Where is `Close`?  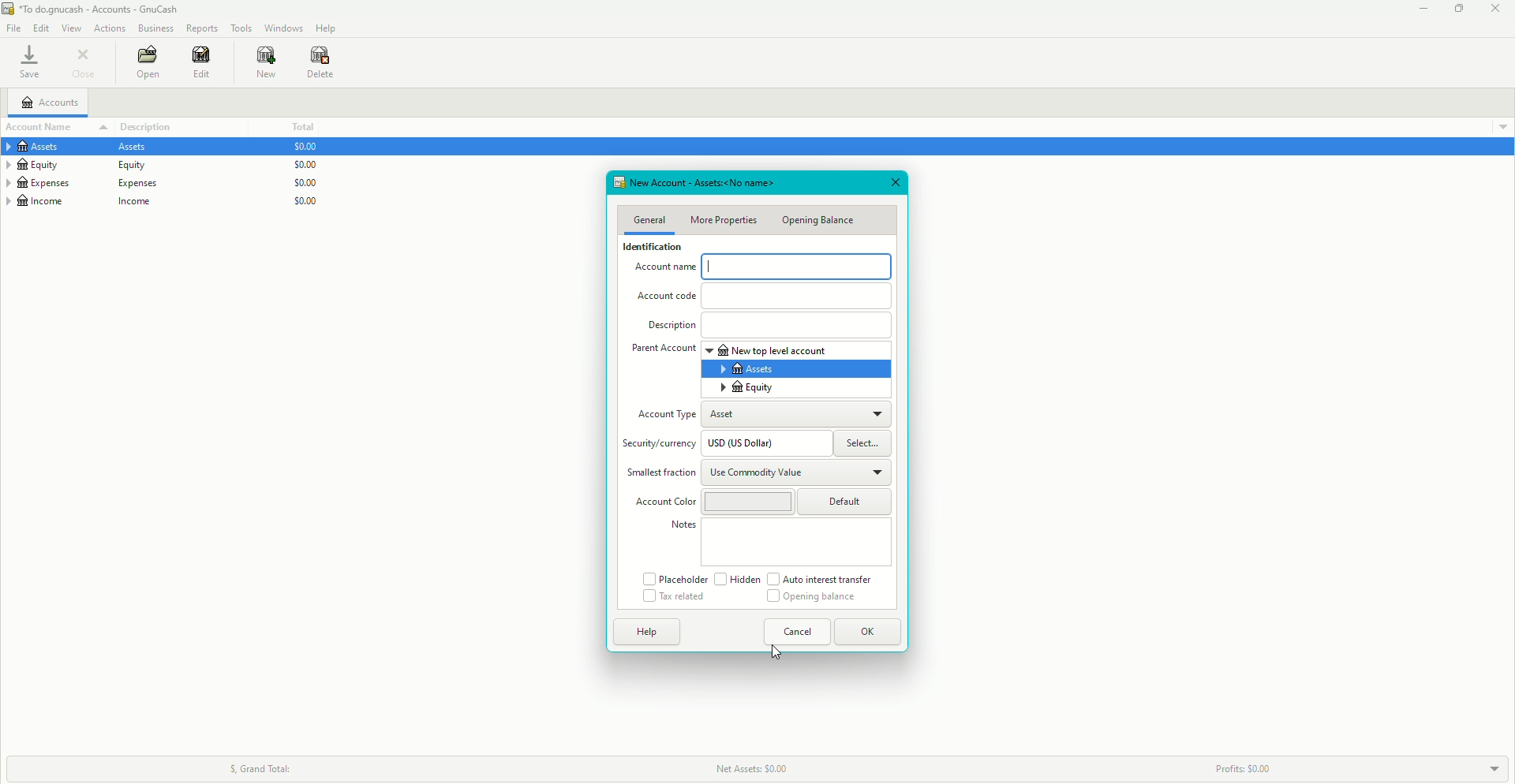
Close is located at coordinates (1495, 9).